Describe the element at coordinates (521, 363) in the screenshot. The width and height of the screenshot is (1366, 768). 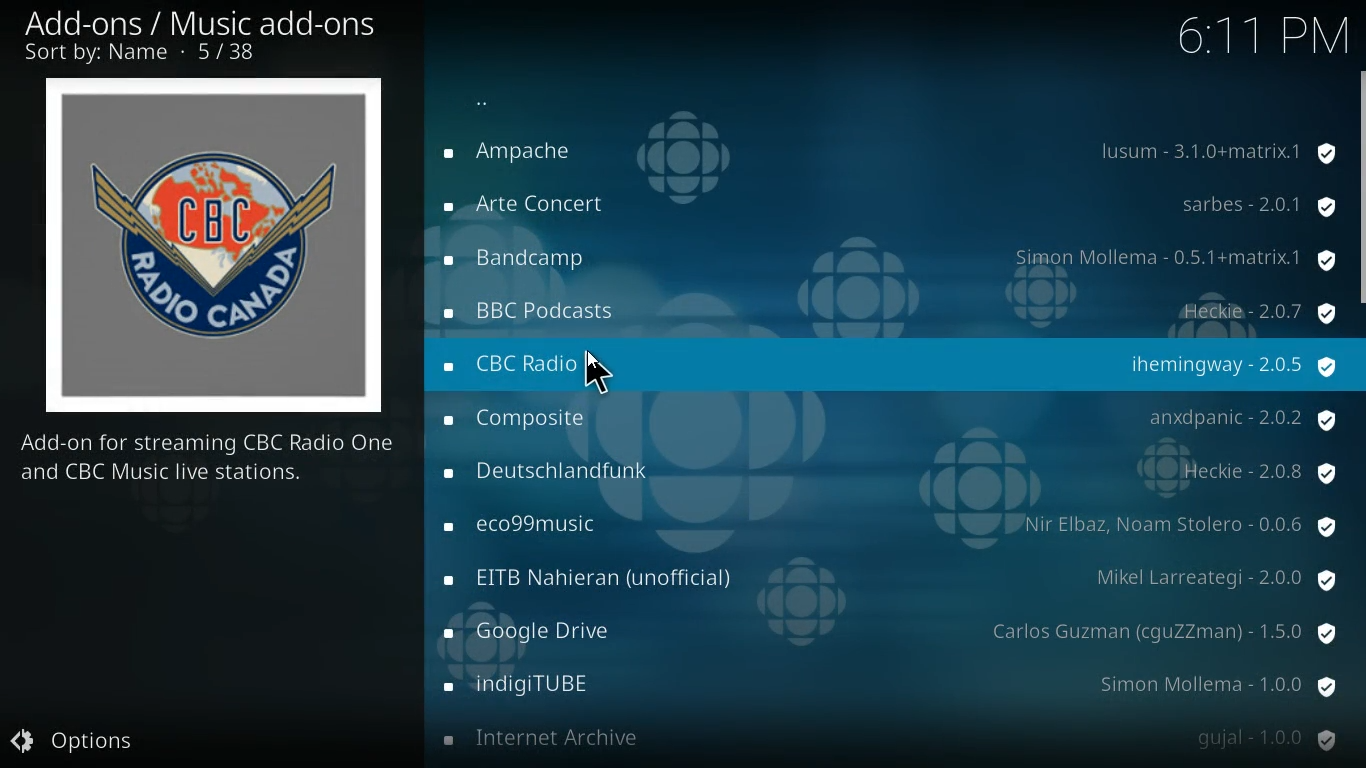
I see `radio name` at that location.